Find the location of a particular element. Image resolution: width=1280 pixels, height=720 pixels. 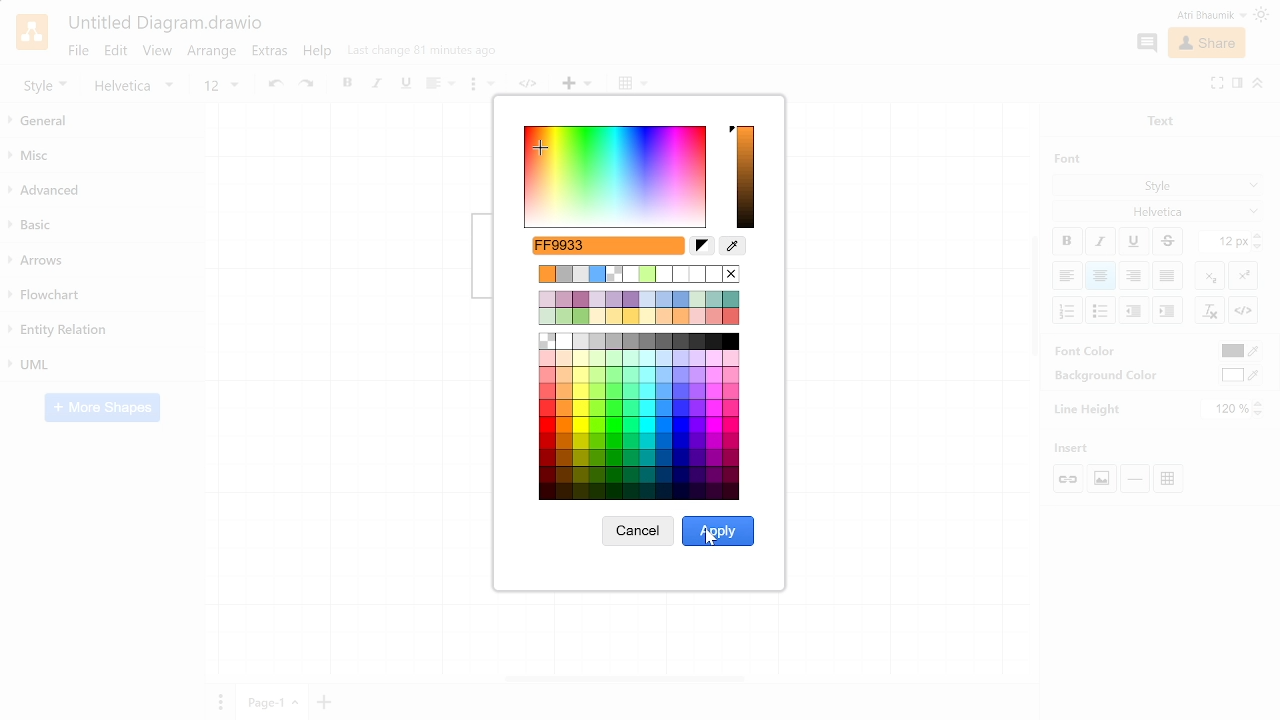

Advanced is located at coordinates (102, 191).